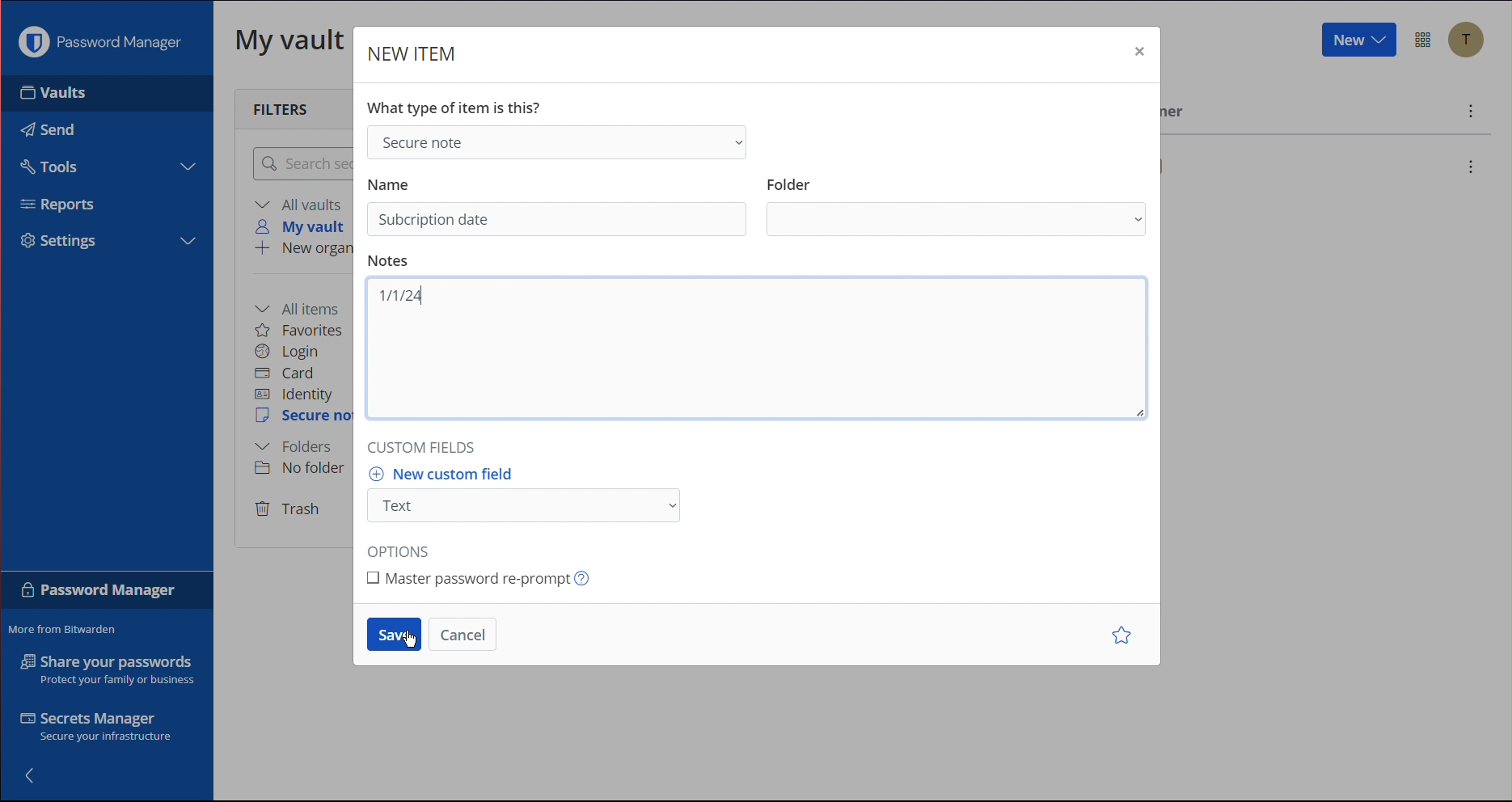 This screenshot has height=802, width=1512. I want to click on Master password prompt, so click(485, 576).